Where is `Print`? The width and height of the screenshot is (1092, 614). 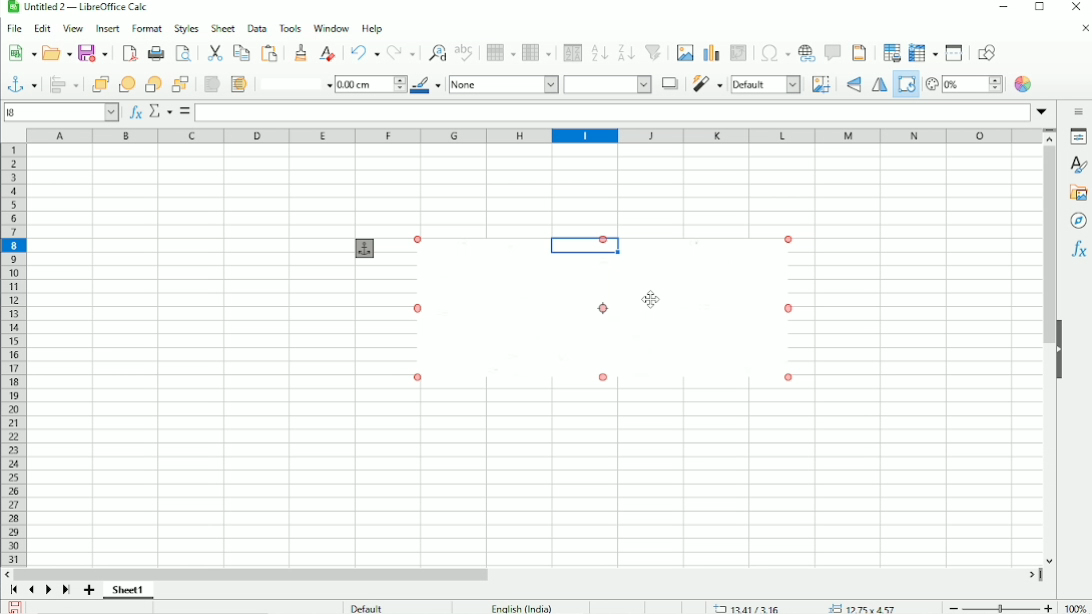 Print is located at coordinates (155, 53).